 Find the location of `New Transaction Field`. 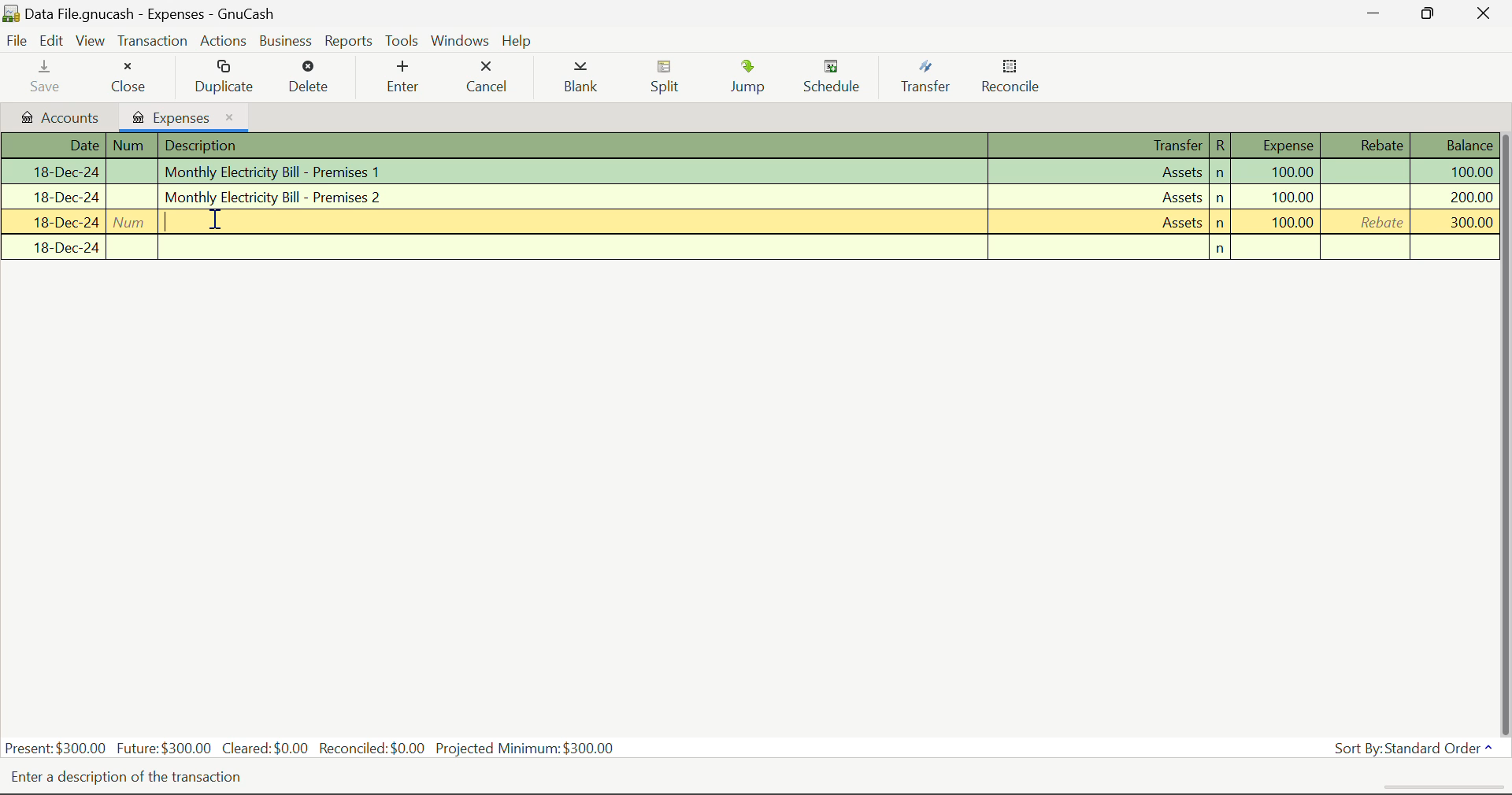

New Transaction Field is located at coordinates (756, 247).